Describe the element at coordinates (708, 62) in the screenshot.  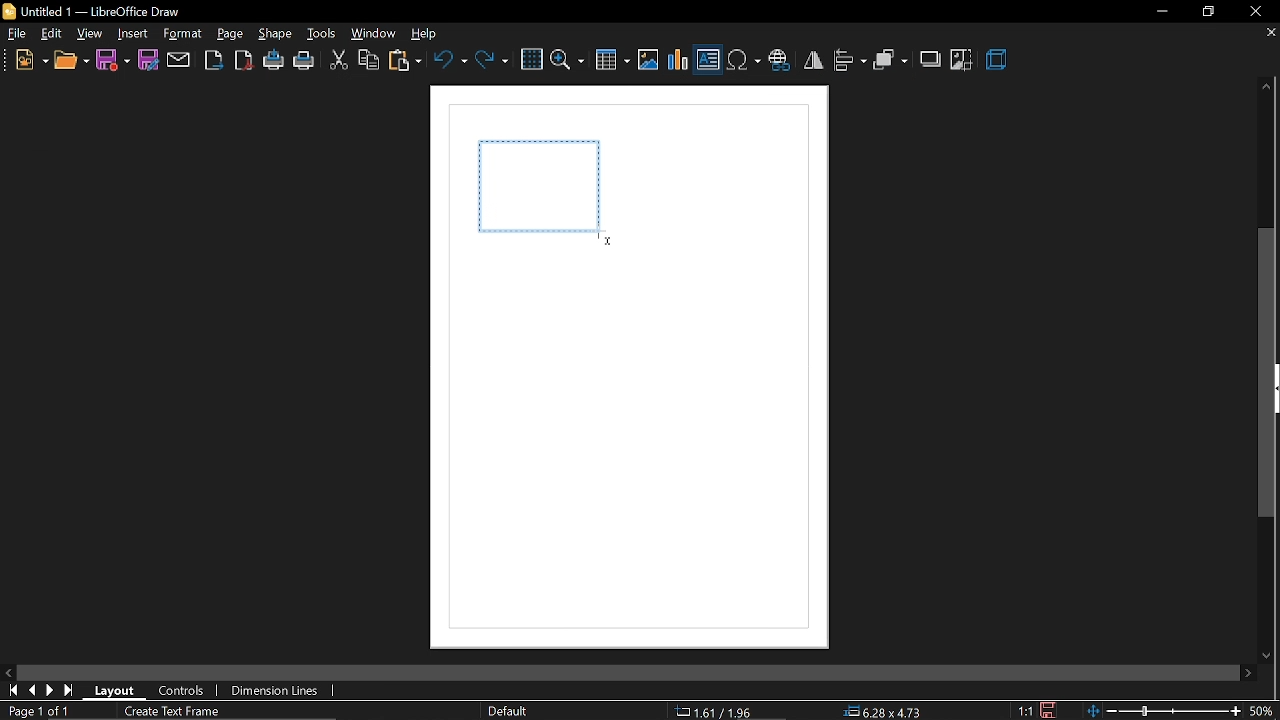
I see `insert text` at that location.